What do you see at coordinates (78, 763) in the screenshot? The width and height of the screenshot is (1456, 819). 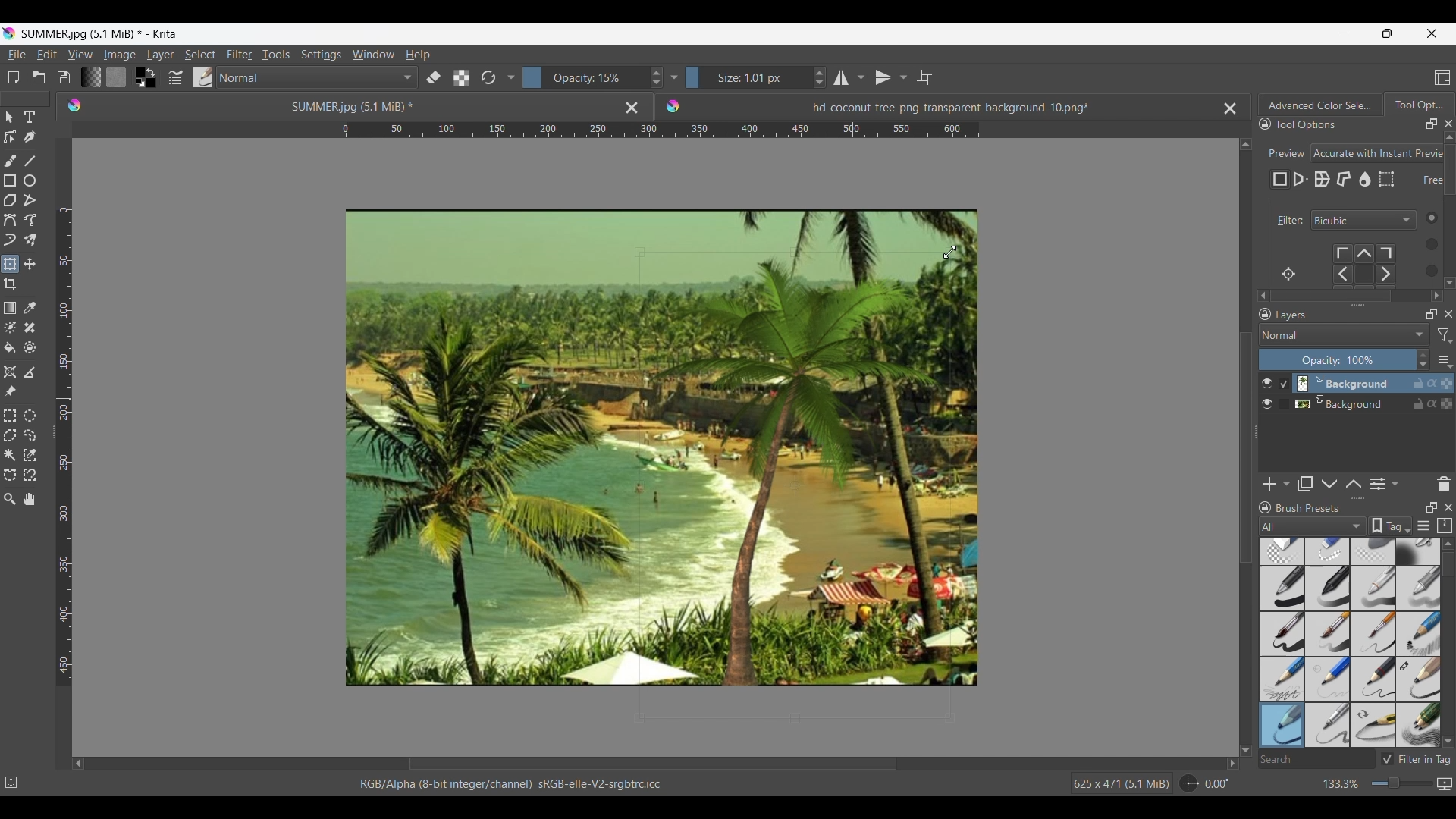 I see `Left` at bounding box center [78, 763].